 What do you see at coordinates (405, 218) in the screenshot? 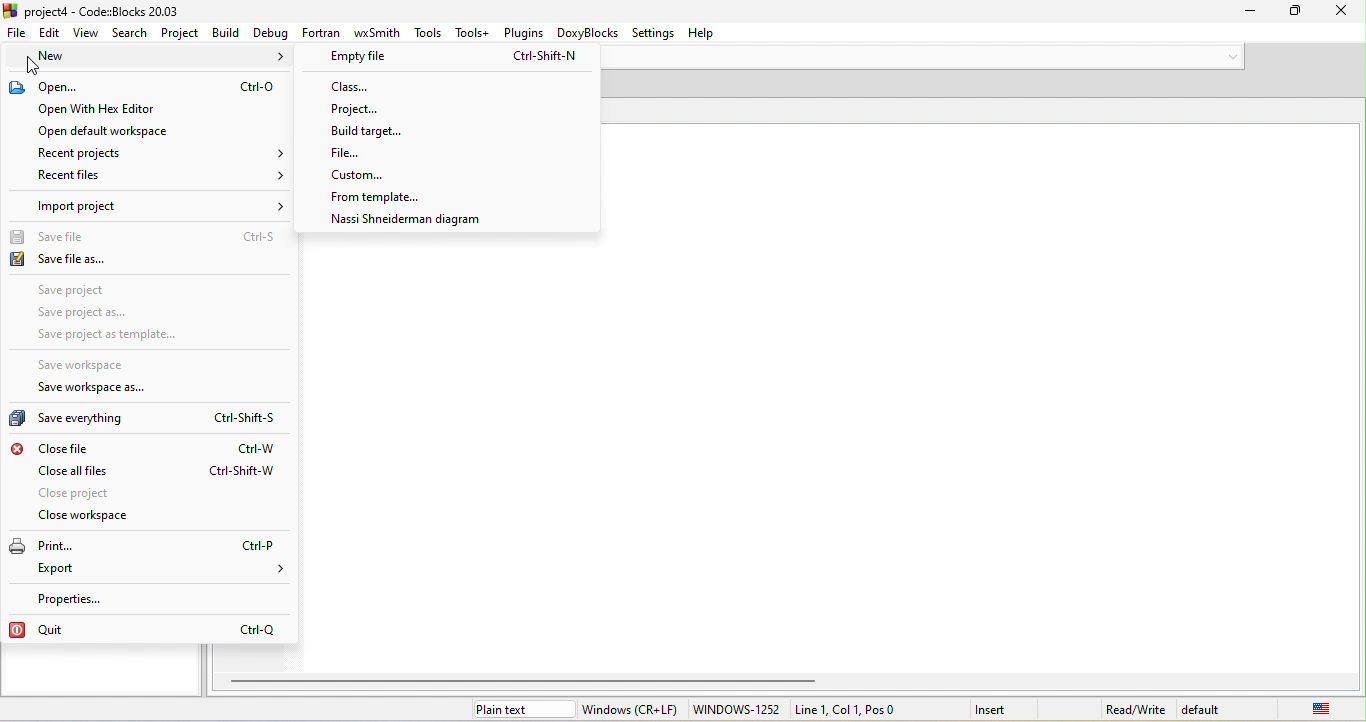
I see `nassi shneideman diagram` at bounding box center [405, 218].